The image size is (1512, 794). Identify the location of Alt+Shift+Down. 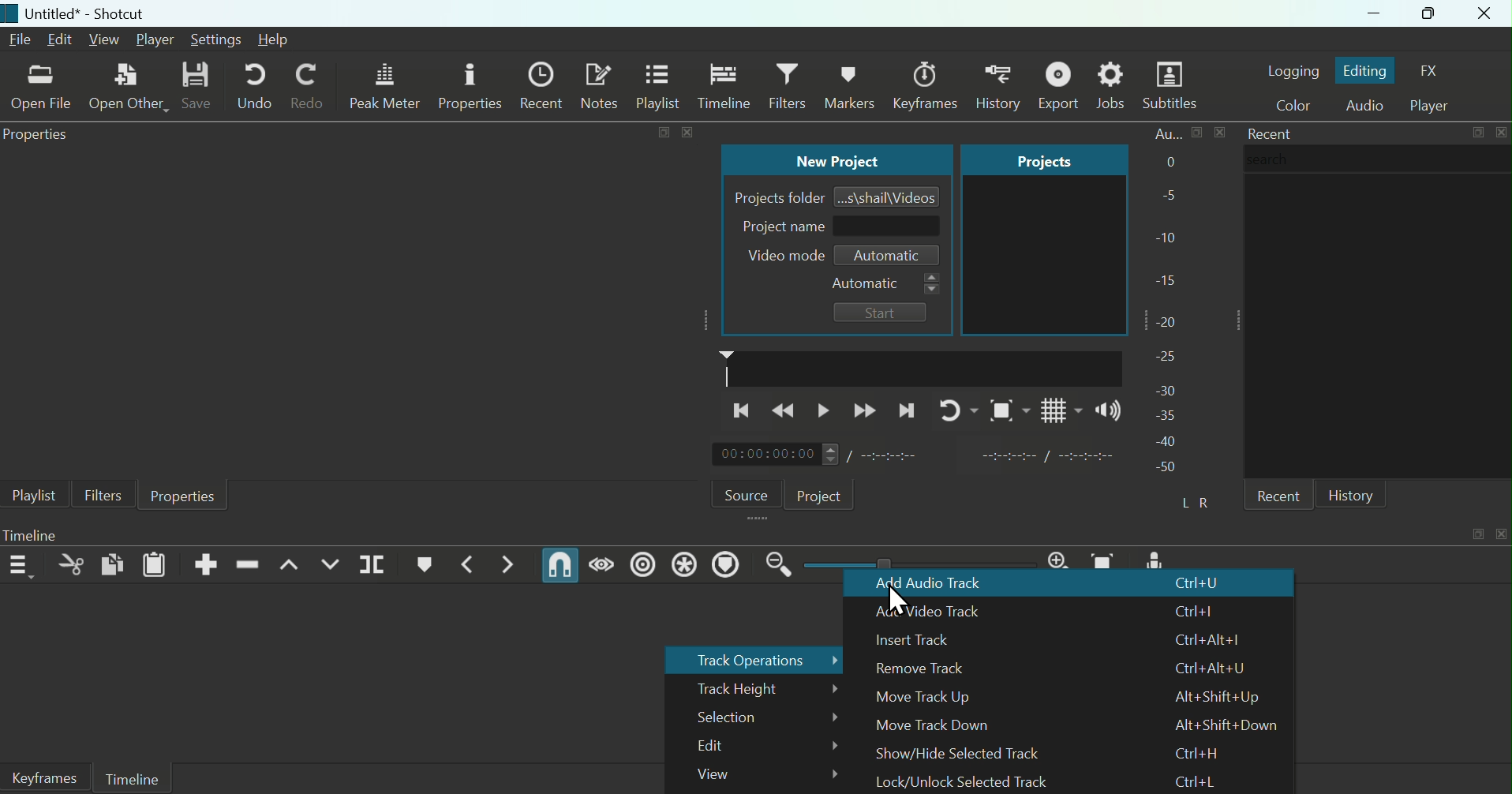
(1226, 725).